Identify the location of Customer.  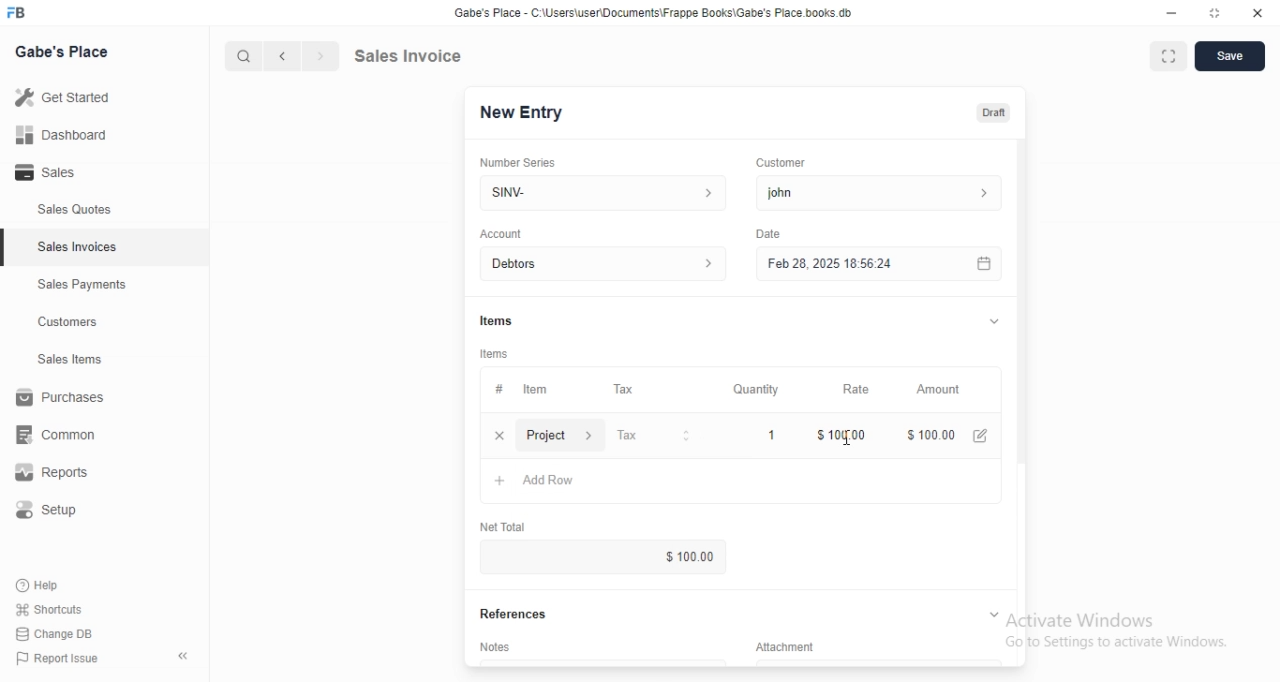
(789, 161).